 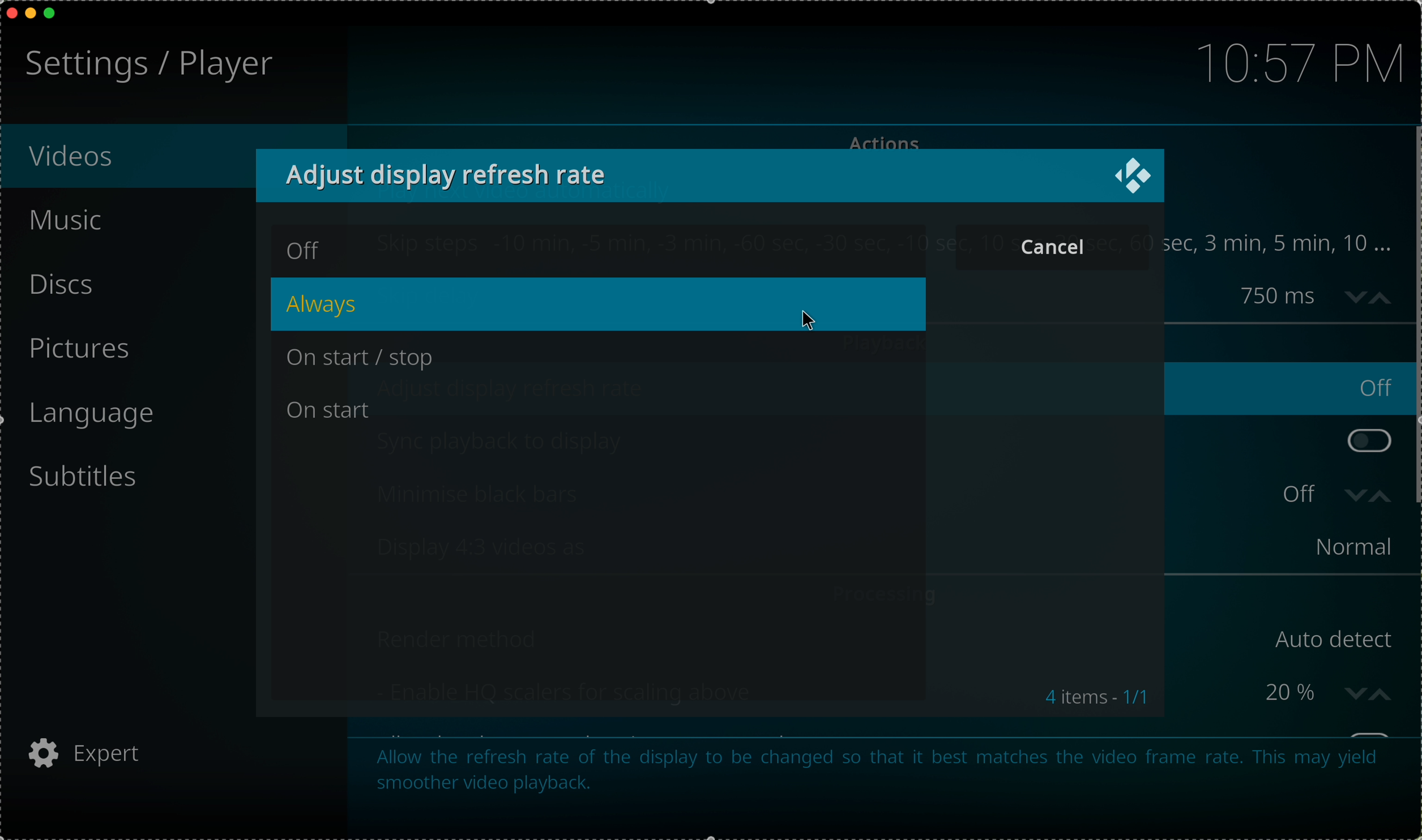 What do you see at coordinates (101, 481) in the screenshot?
I see `Subtitles` at bounding box center [101, 481].